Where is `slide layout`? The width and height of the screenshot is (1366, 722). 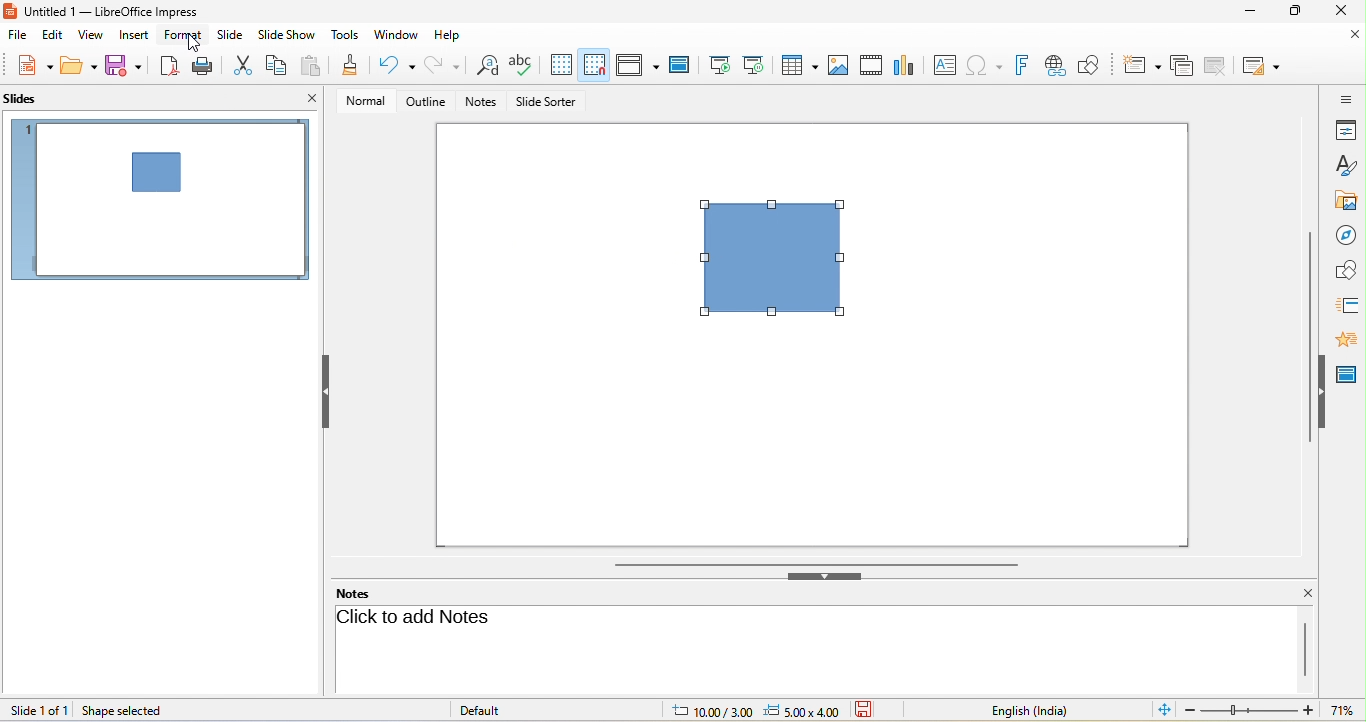
slide layout is located at coordinates (1263, 67).